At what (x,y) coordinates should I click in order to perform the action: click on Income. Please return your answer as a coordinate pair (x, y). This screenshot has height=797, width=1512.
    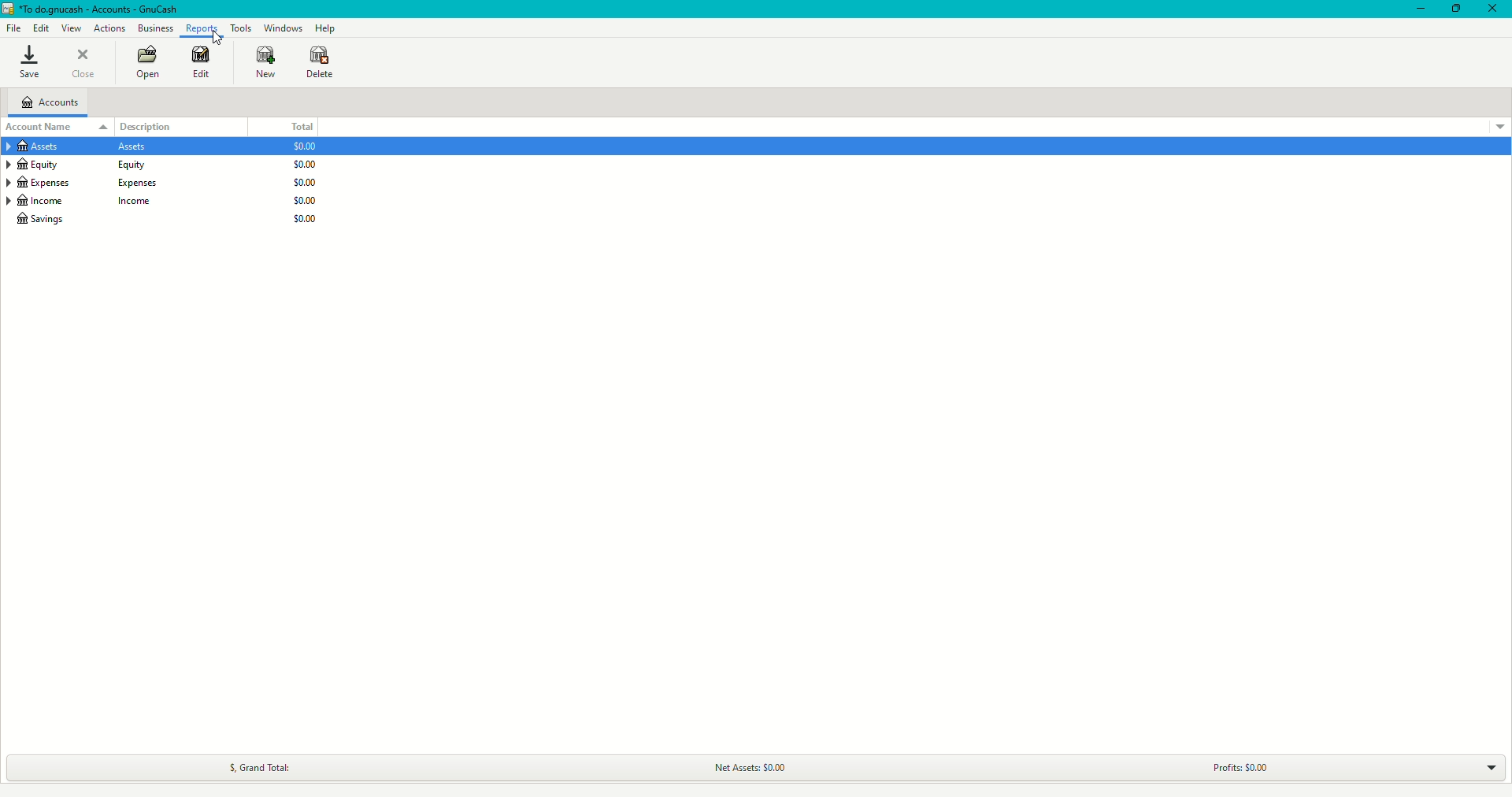
    Looking at the image, I should click on (90, 201).